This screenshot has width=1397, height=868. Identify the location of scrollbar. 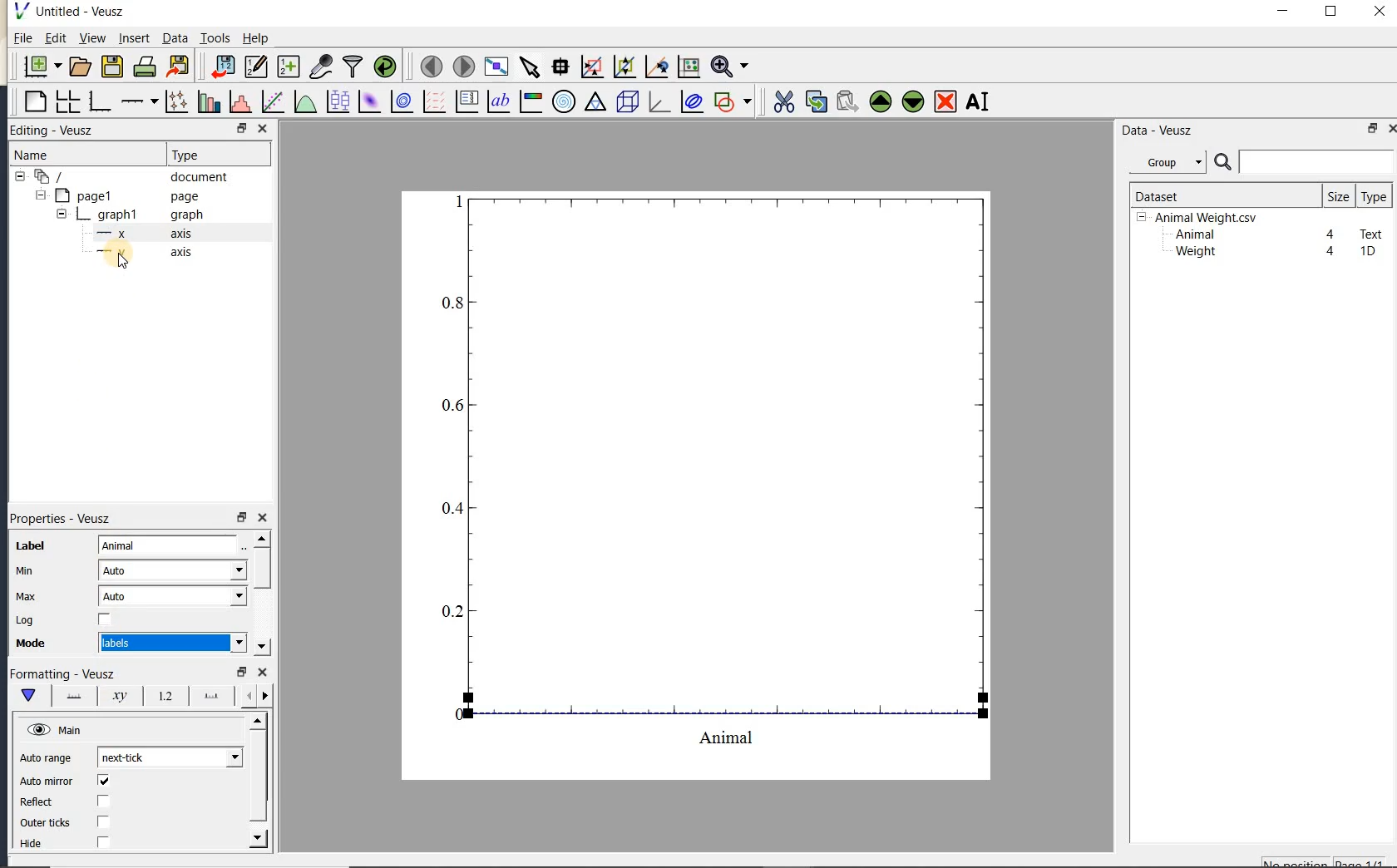
(260, 593).